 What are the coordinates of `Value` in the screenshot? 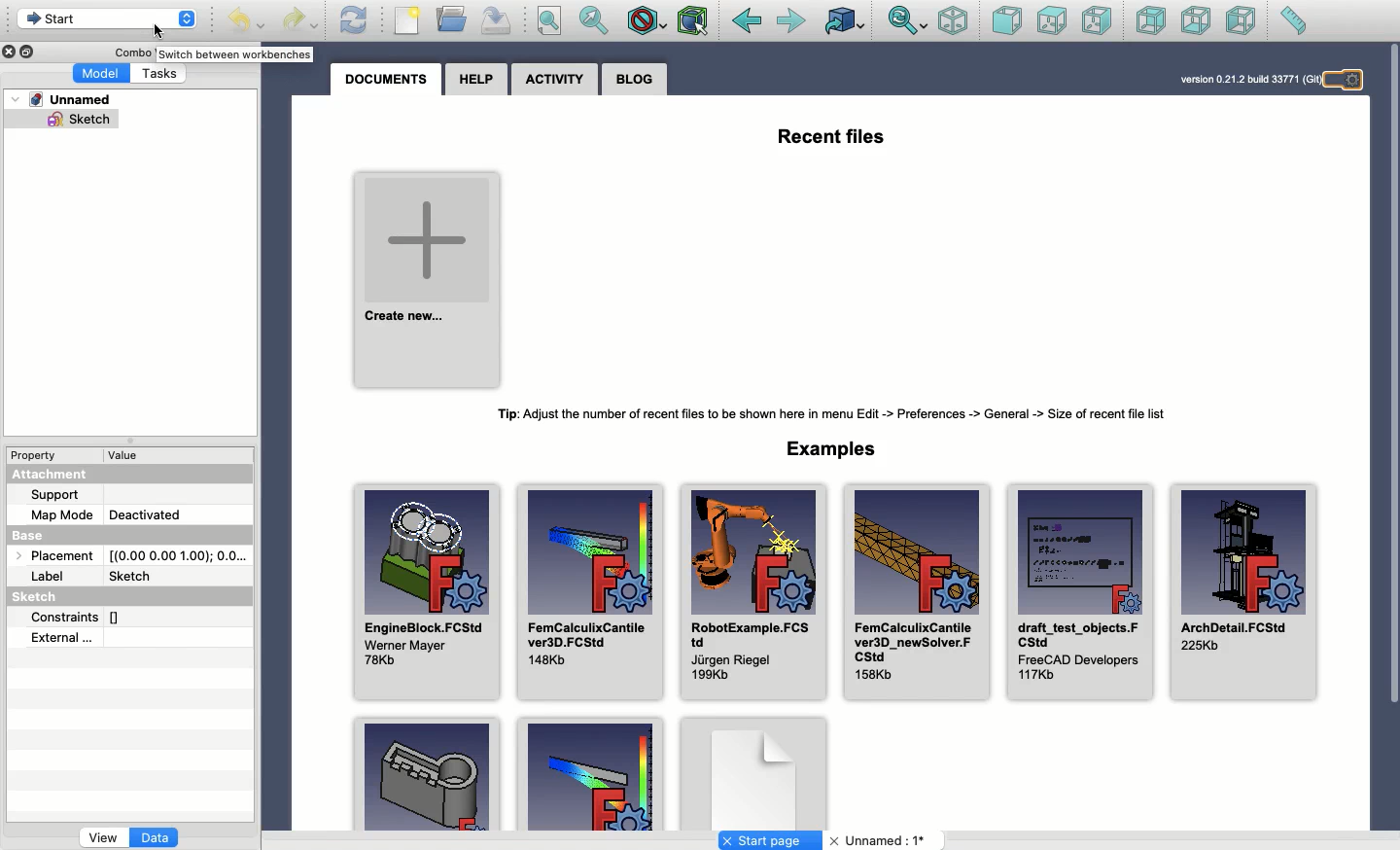 It's located at (128, 456).